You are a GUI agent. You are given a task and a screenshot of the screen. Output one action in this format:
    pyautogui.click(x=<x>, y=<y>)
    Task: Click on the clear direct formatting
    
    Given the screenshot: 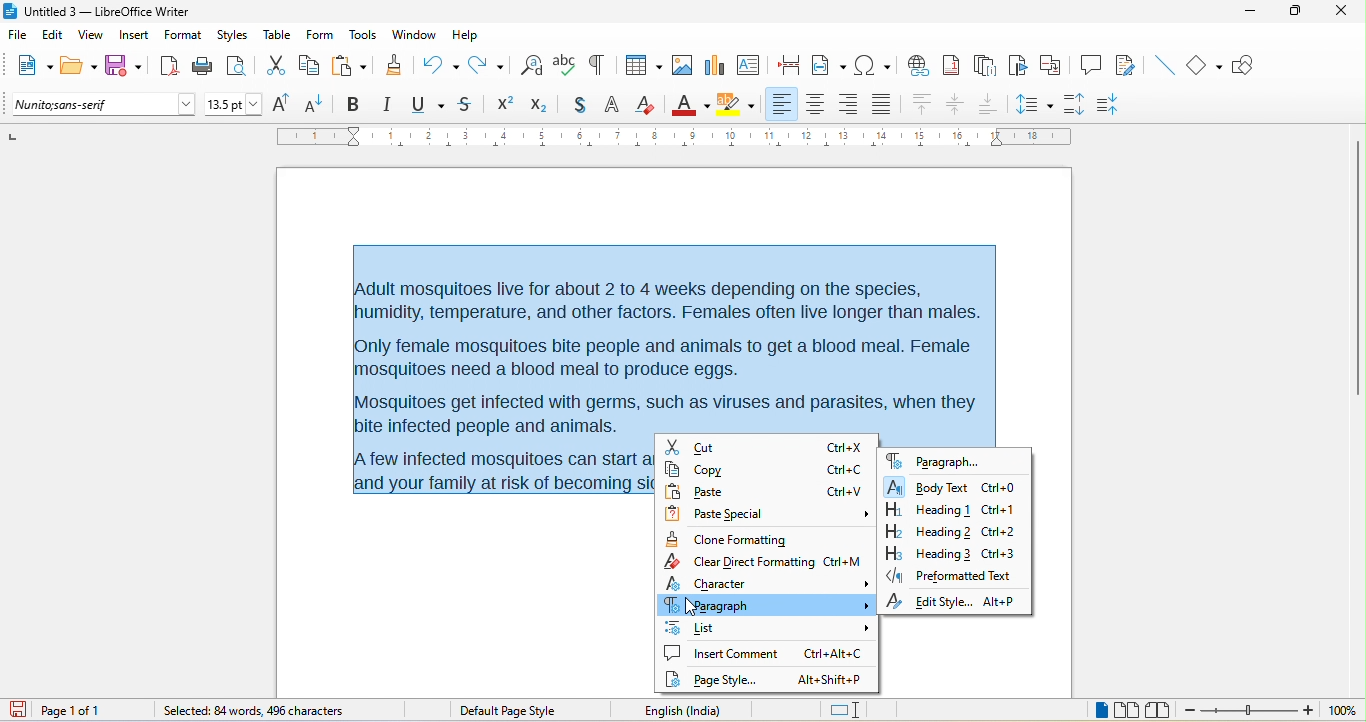 What is the action you would take?
    pyautogui.click(x=646, y=104)
    